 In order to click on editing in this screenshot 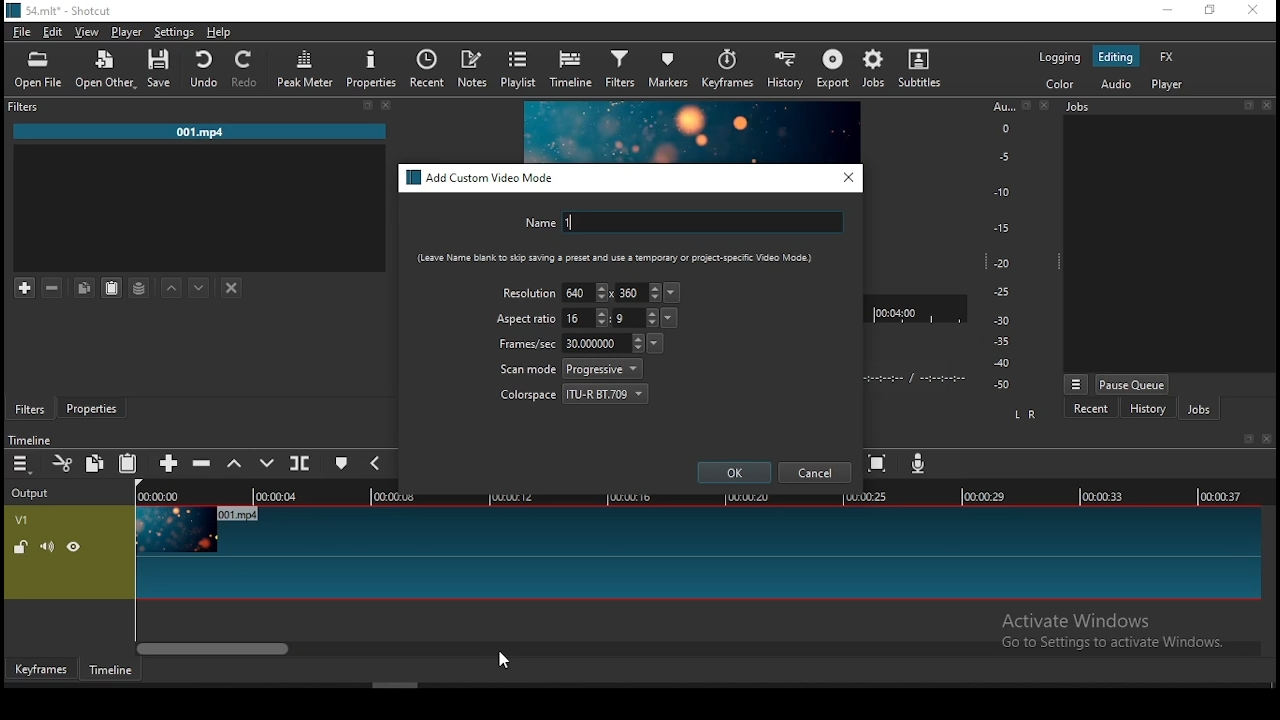, I will do `click(1116, 57)`.